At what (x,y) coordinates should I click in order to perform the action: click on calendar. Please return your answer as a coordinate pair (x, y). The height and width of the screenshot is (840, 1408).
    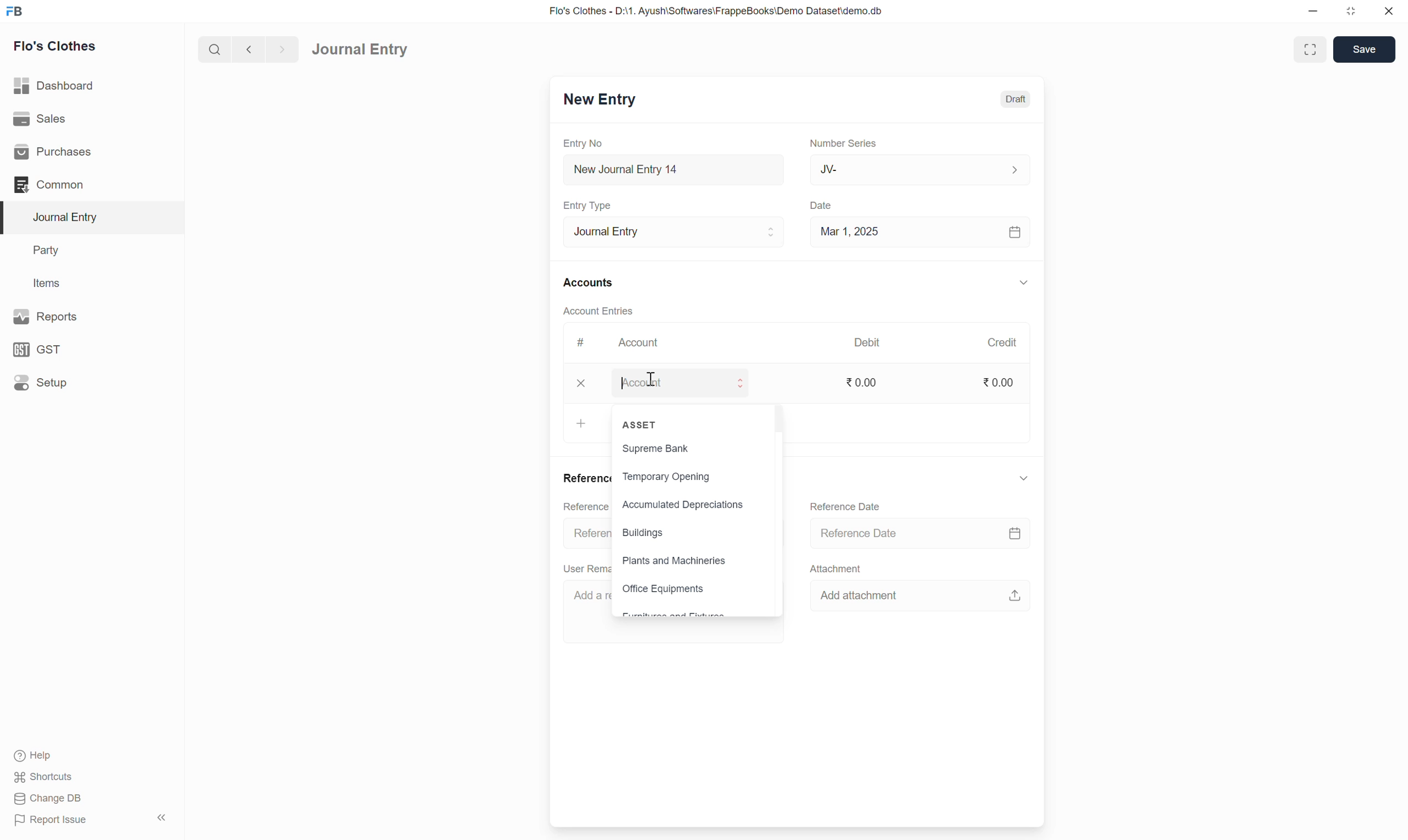
    Looking at the image, I should click on (1015, 533).